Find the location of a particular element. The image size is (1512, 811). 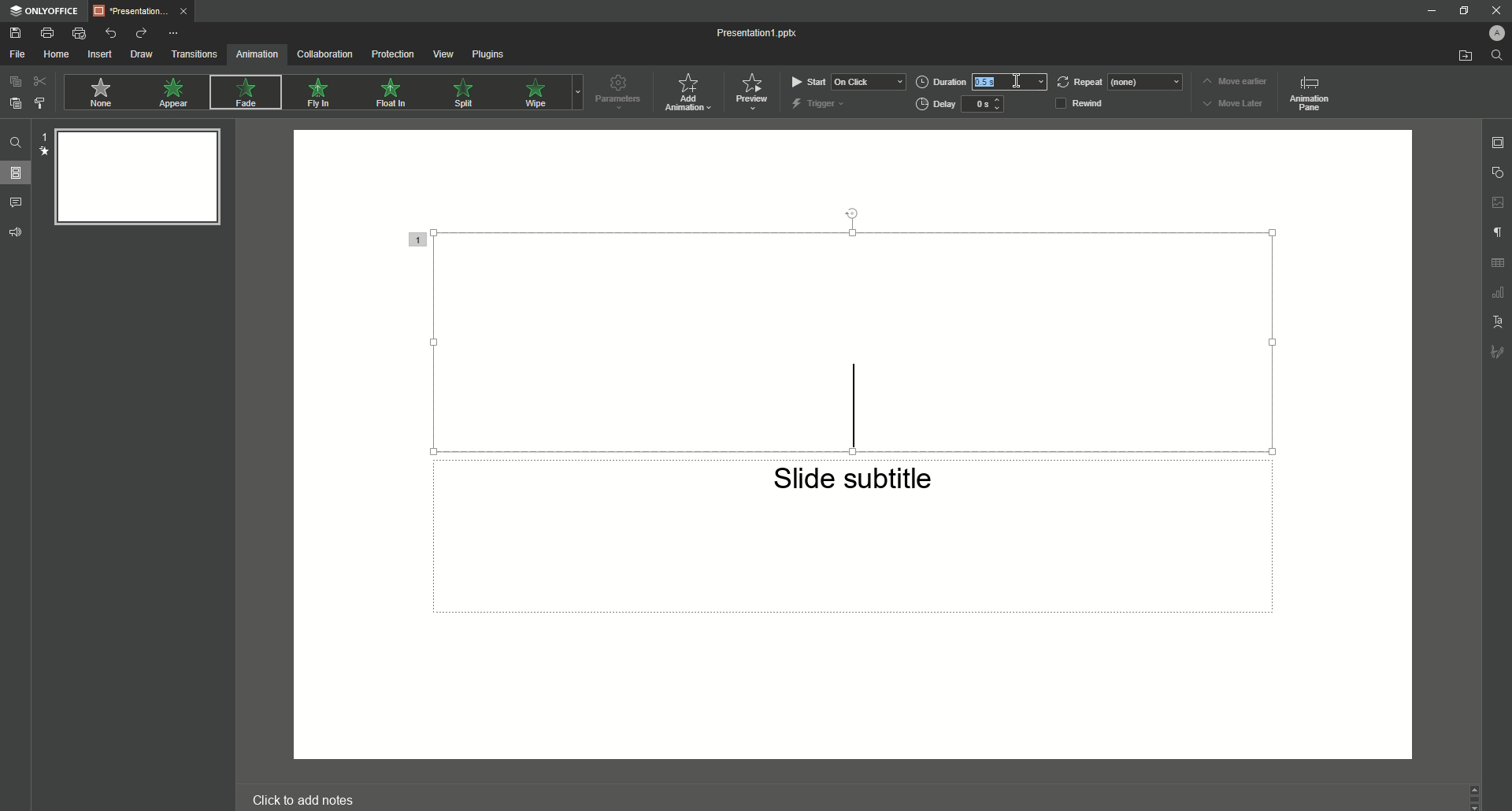

Animation is located at coordinates (258, 55).